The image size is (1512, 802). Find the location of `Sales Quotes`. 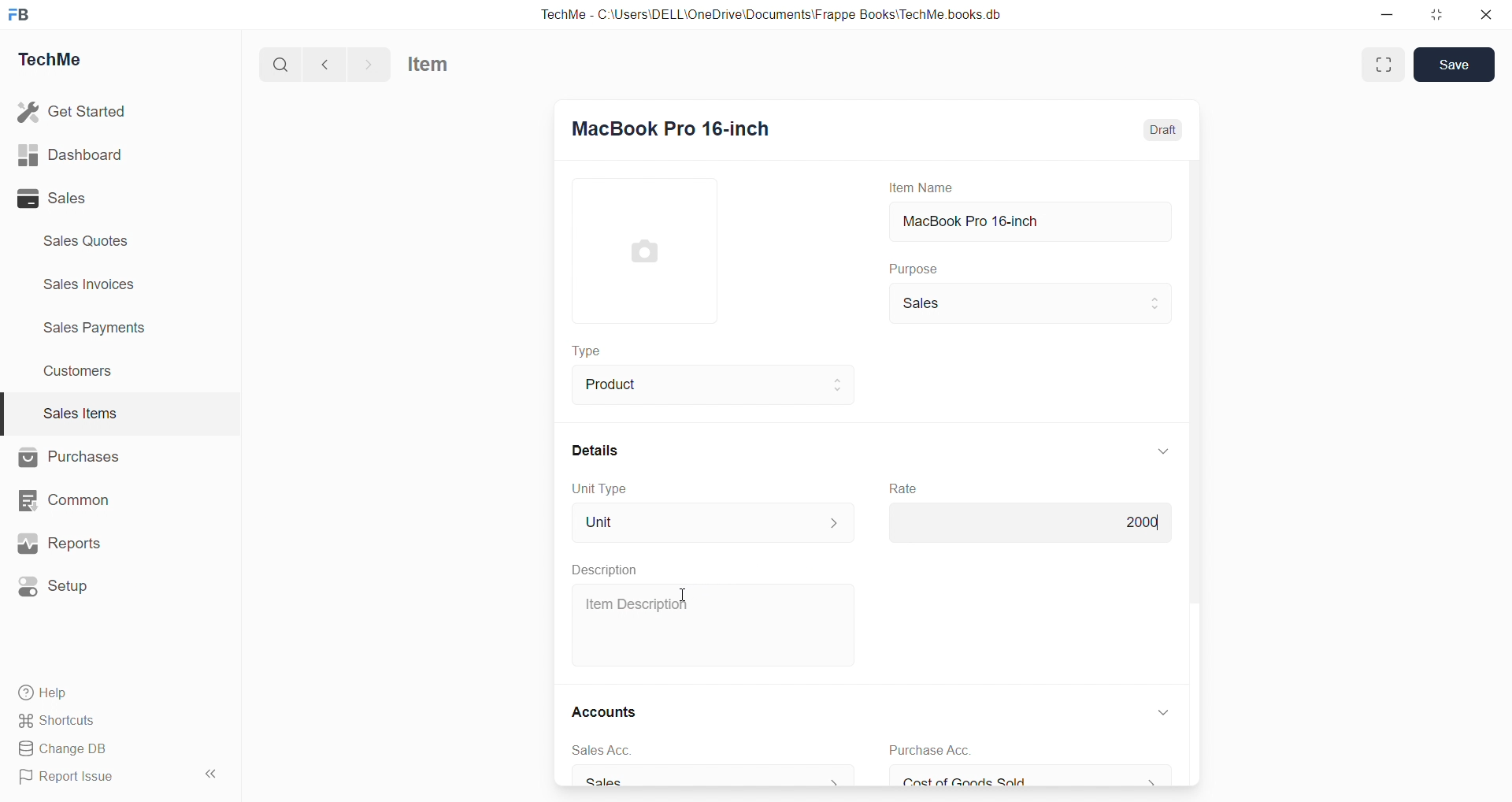

Sales Quotes is located at coordinates (87, 240).